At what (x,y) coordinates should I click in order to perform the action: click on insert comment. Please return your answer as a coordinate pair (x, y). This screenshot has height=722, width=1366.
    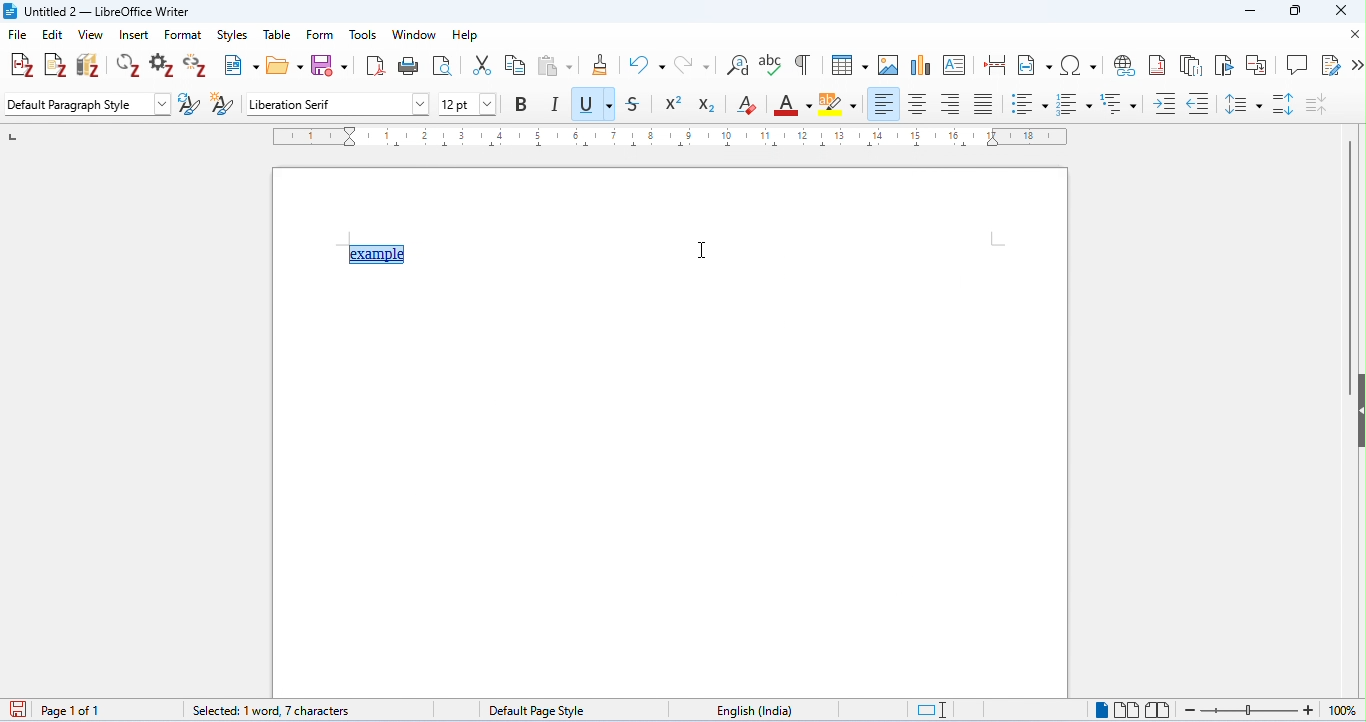
    Looking at the image, I should click on (1298, 65).